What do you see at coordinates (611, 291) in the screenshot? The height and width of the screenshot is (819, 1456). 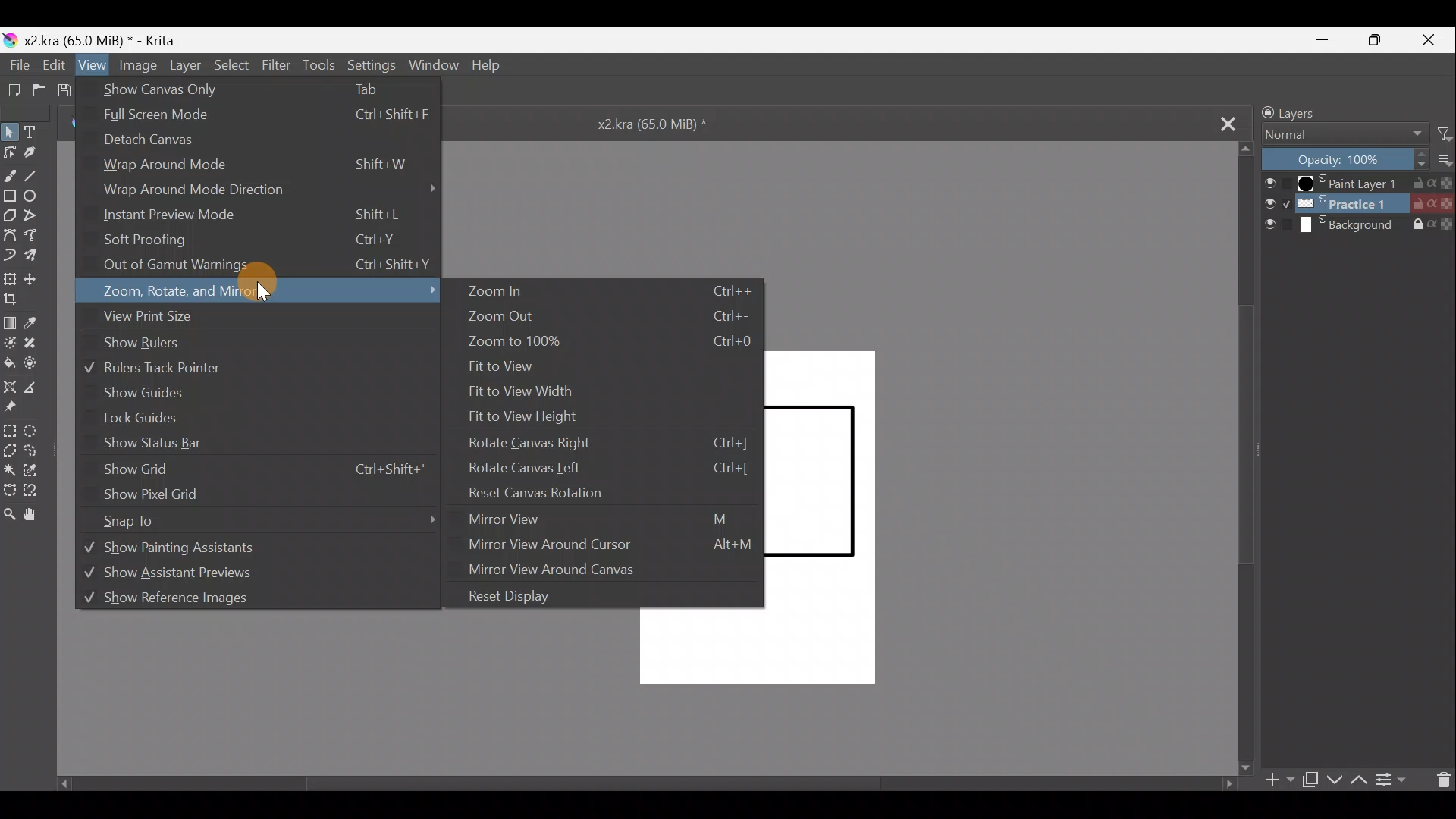 I see `Zoom In` at bounding box center [611, 291].